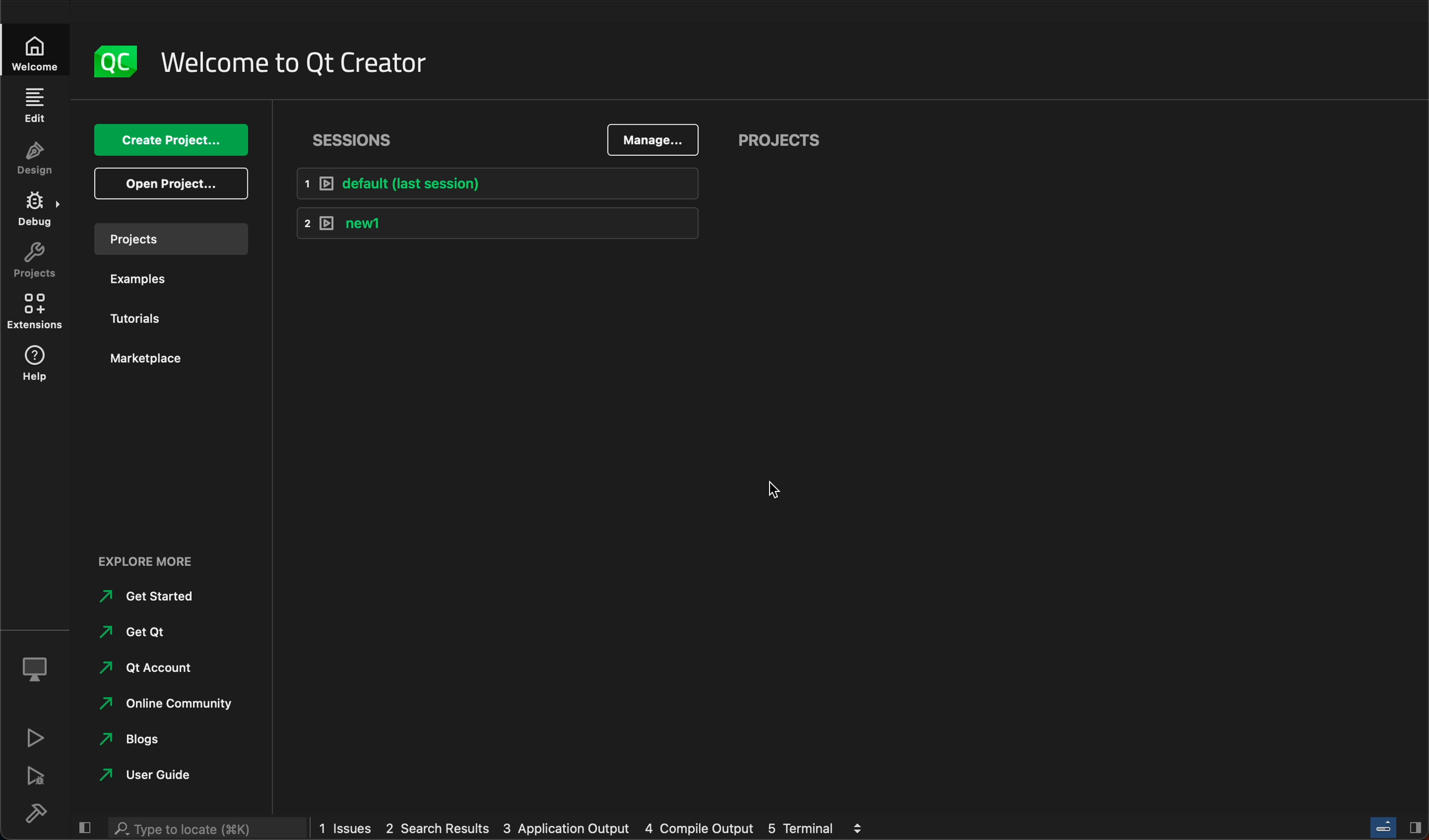 The width and height of the screenshot is (1429, 840). Describe the element at coordinates (168, 629) in the screenshot. I see `get qt` at that location.